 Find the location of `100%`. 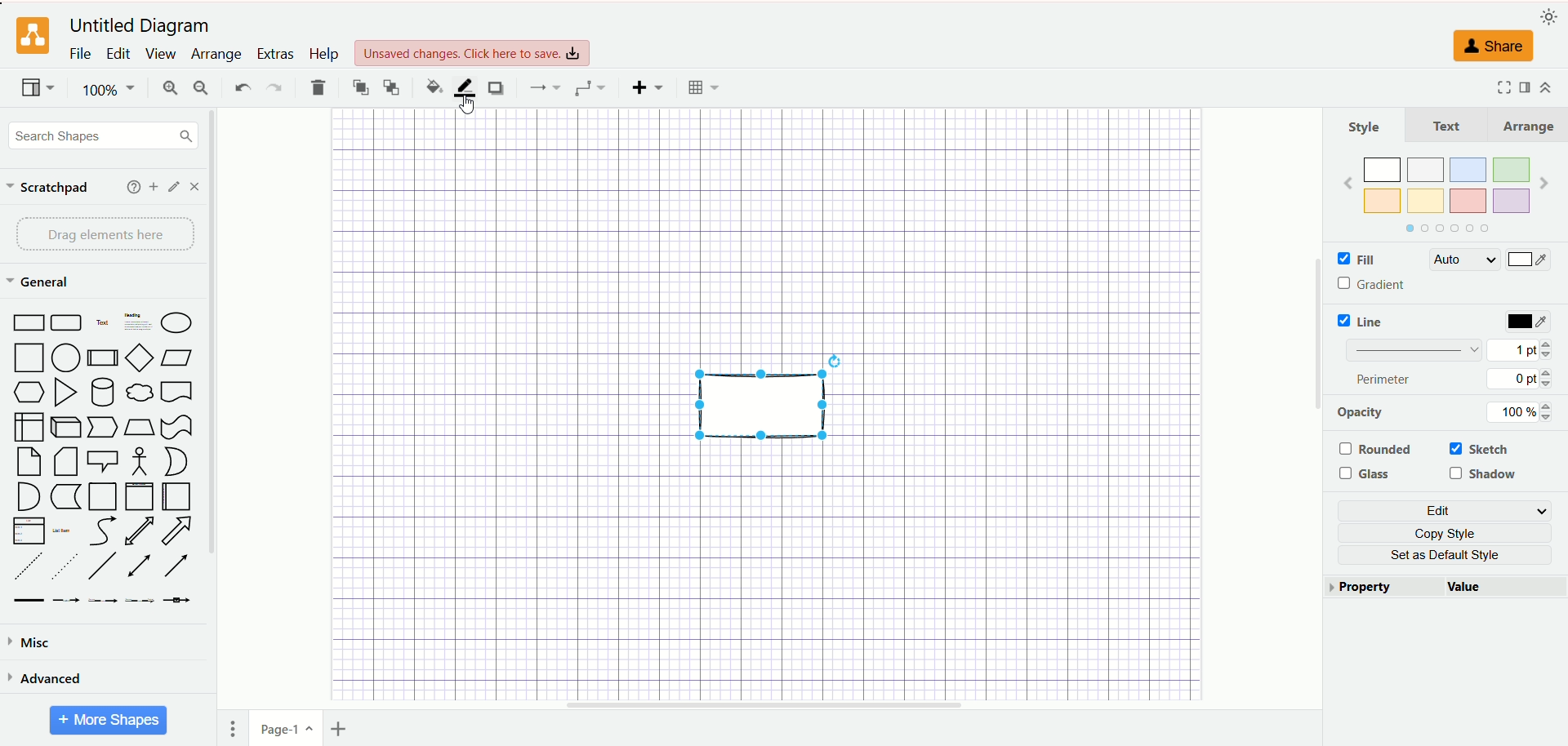

100% is located at coordinates (106, 91).